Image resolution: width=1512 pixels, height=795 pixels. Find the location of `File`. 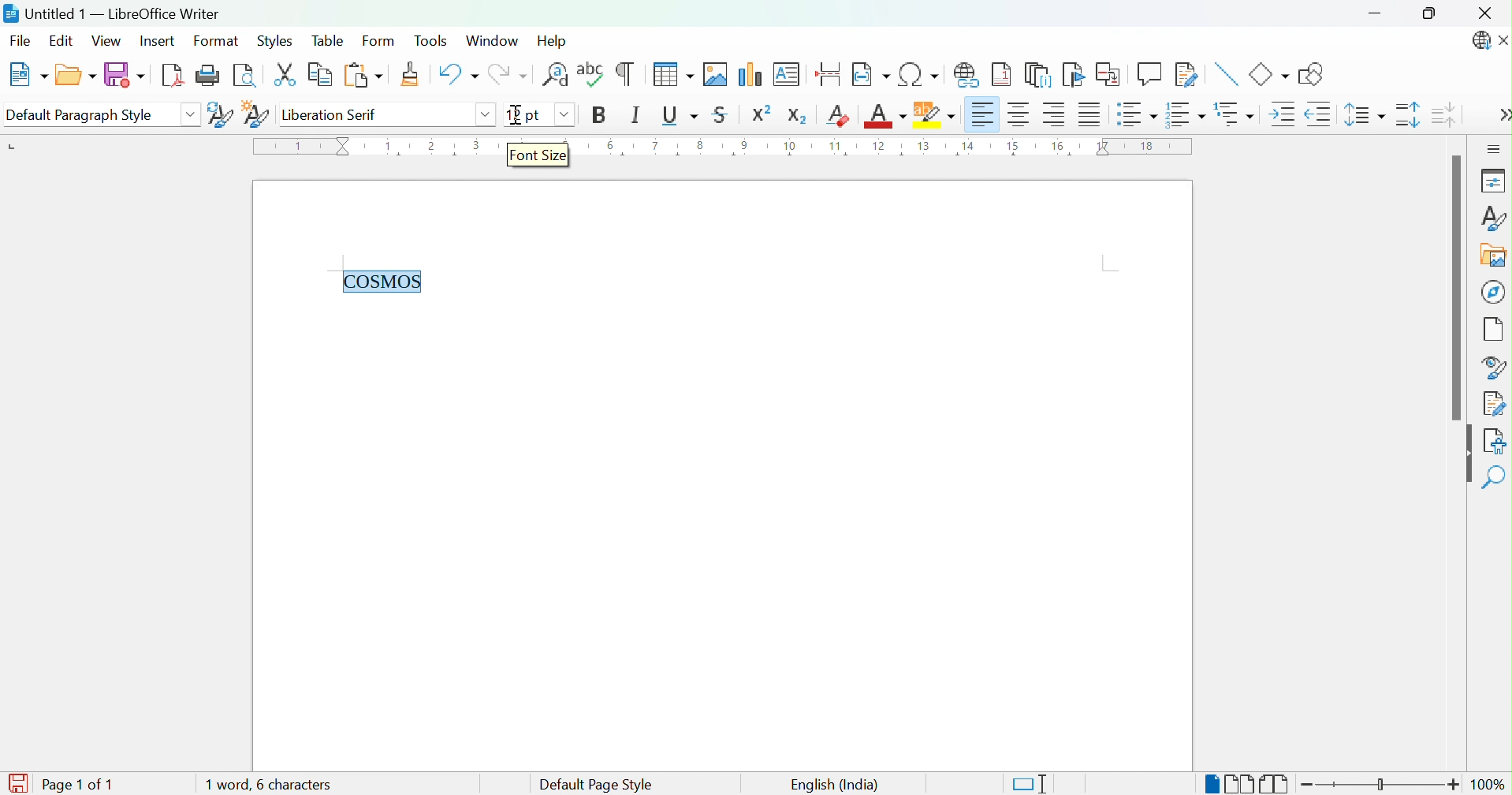

File is located at coordinates (21, 39).